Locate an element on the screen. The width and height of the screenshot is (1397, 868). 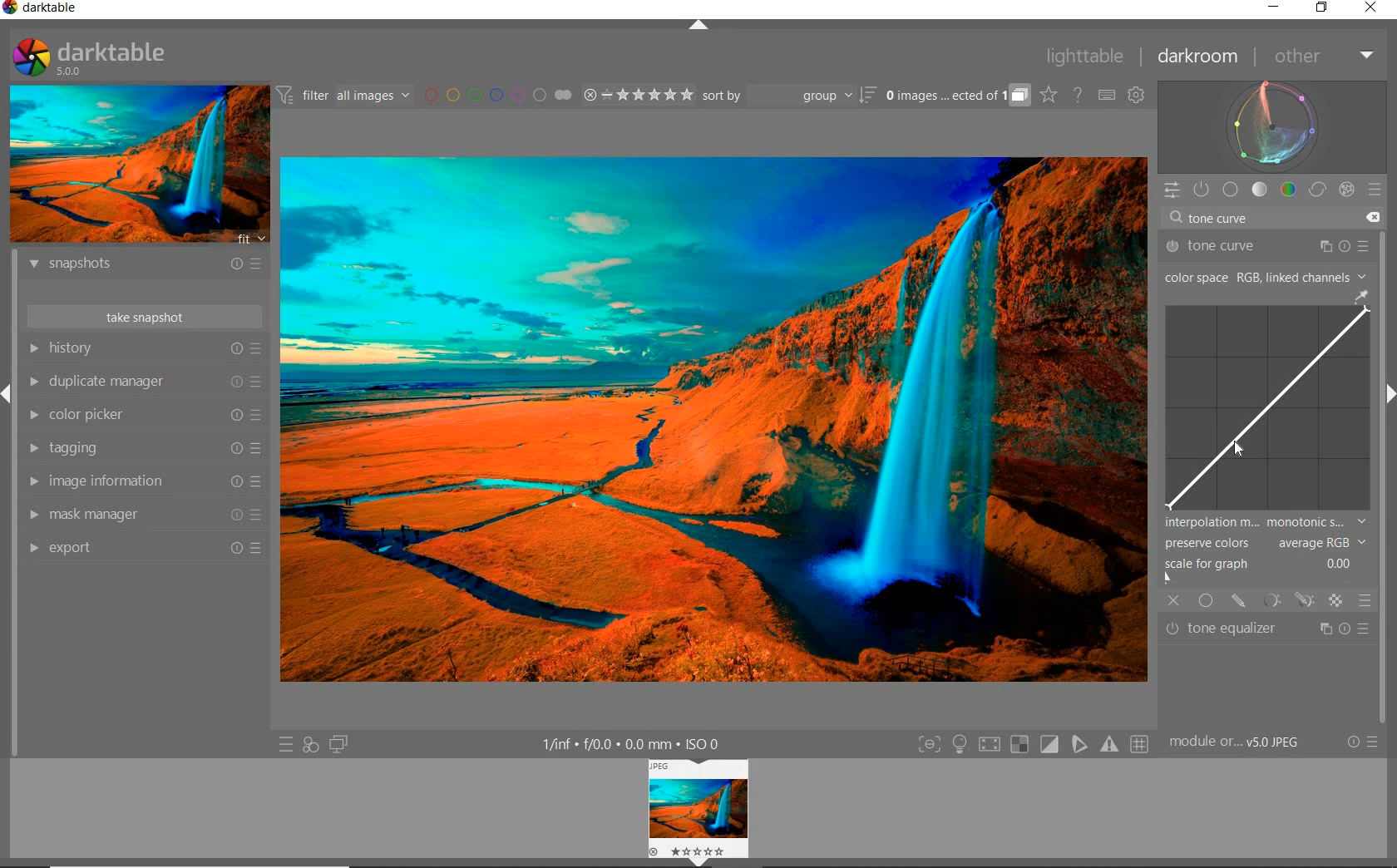
base is located at coordinates (1232, 189).